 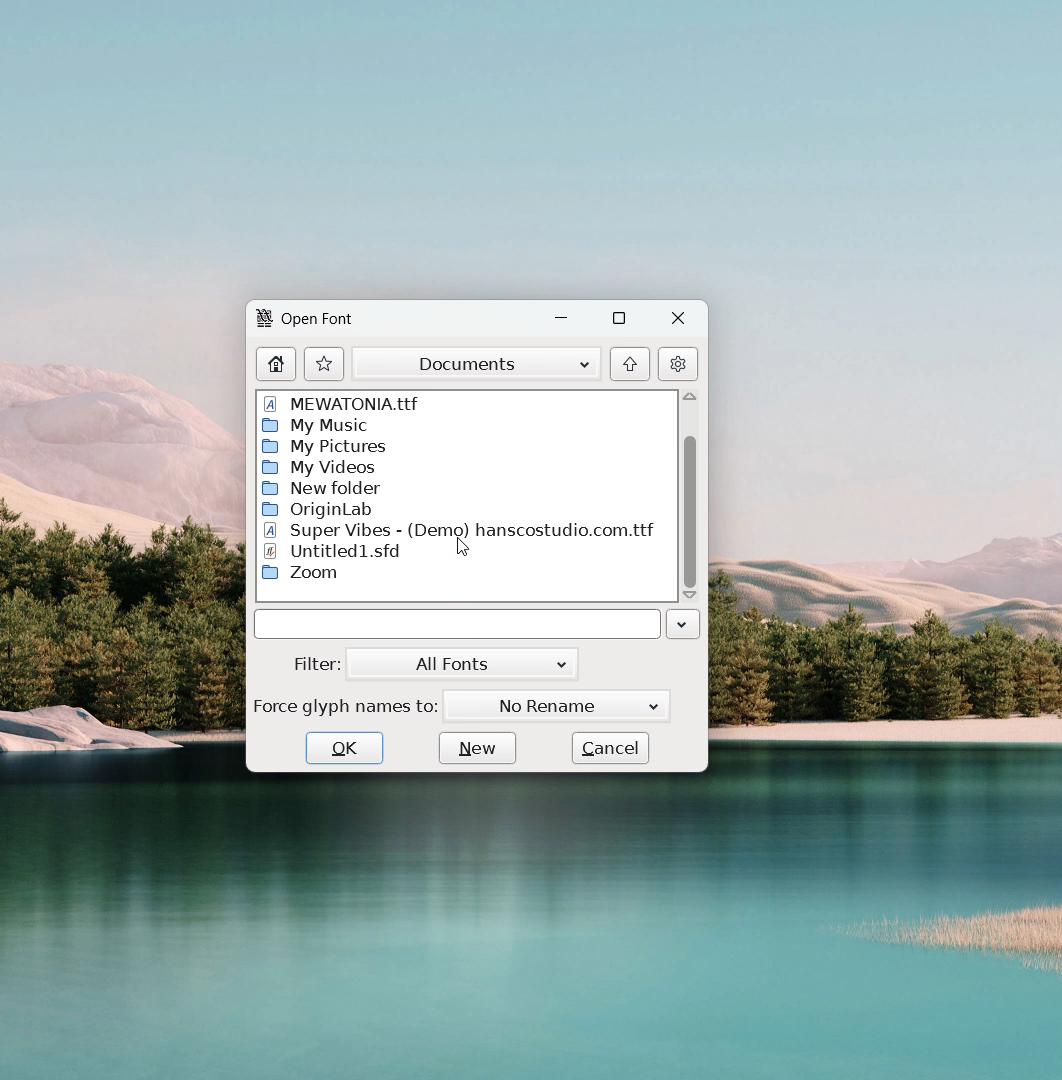 What do you see at coordinates (325, 365) in the screenshot?
I see `actions` at bounding box center [325, 365].